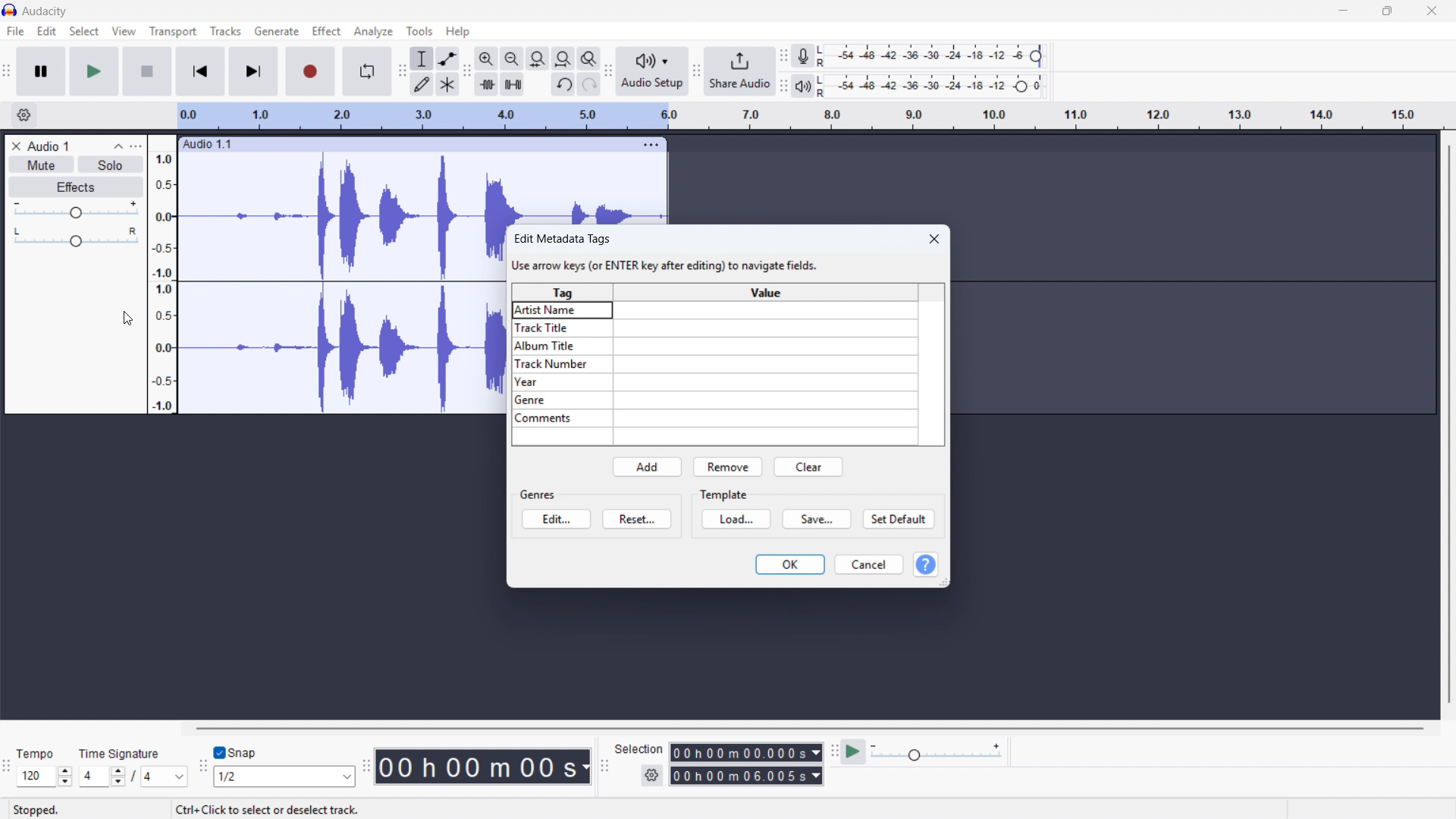 The image size is (1456, 819). Describe the element at coordinates (488, 59) in the screenshot. I see `zoom in` at that location.